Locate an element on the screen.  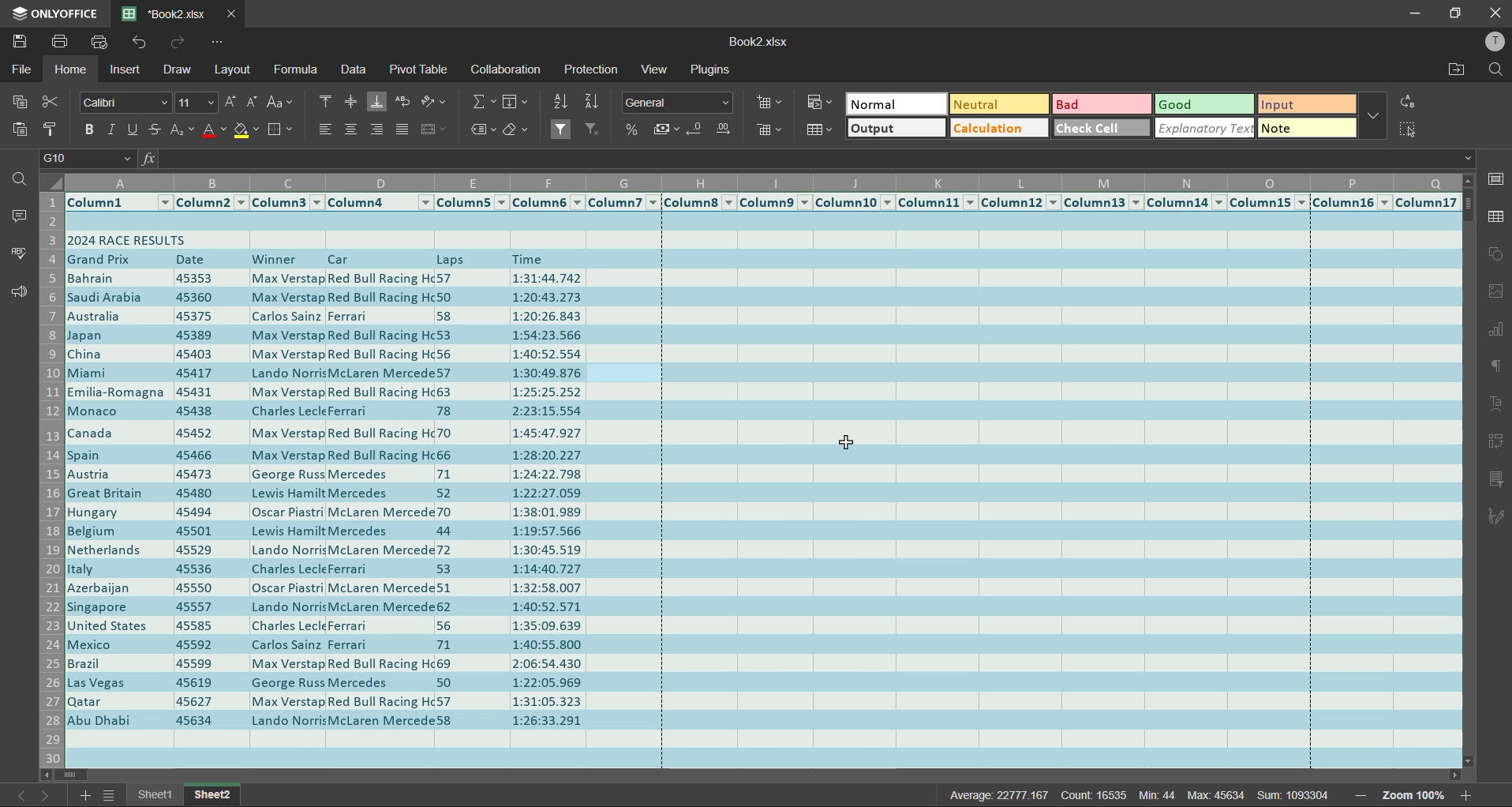
Column  is located at coordinates (855, 202).